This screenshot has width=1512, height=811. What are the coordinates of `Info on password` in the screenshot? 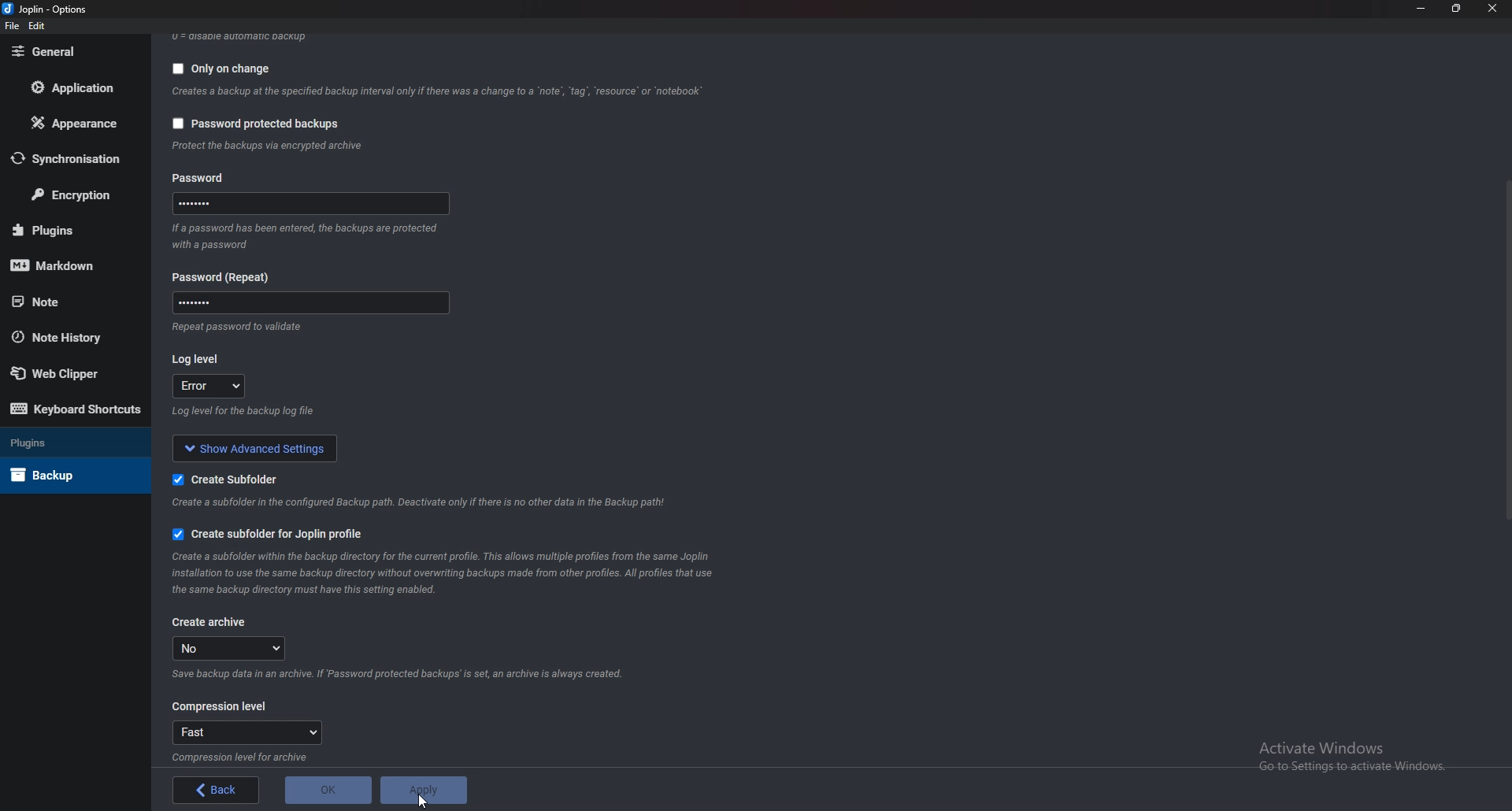 It's located at (243, 330).